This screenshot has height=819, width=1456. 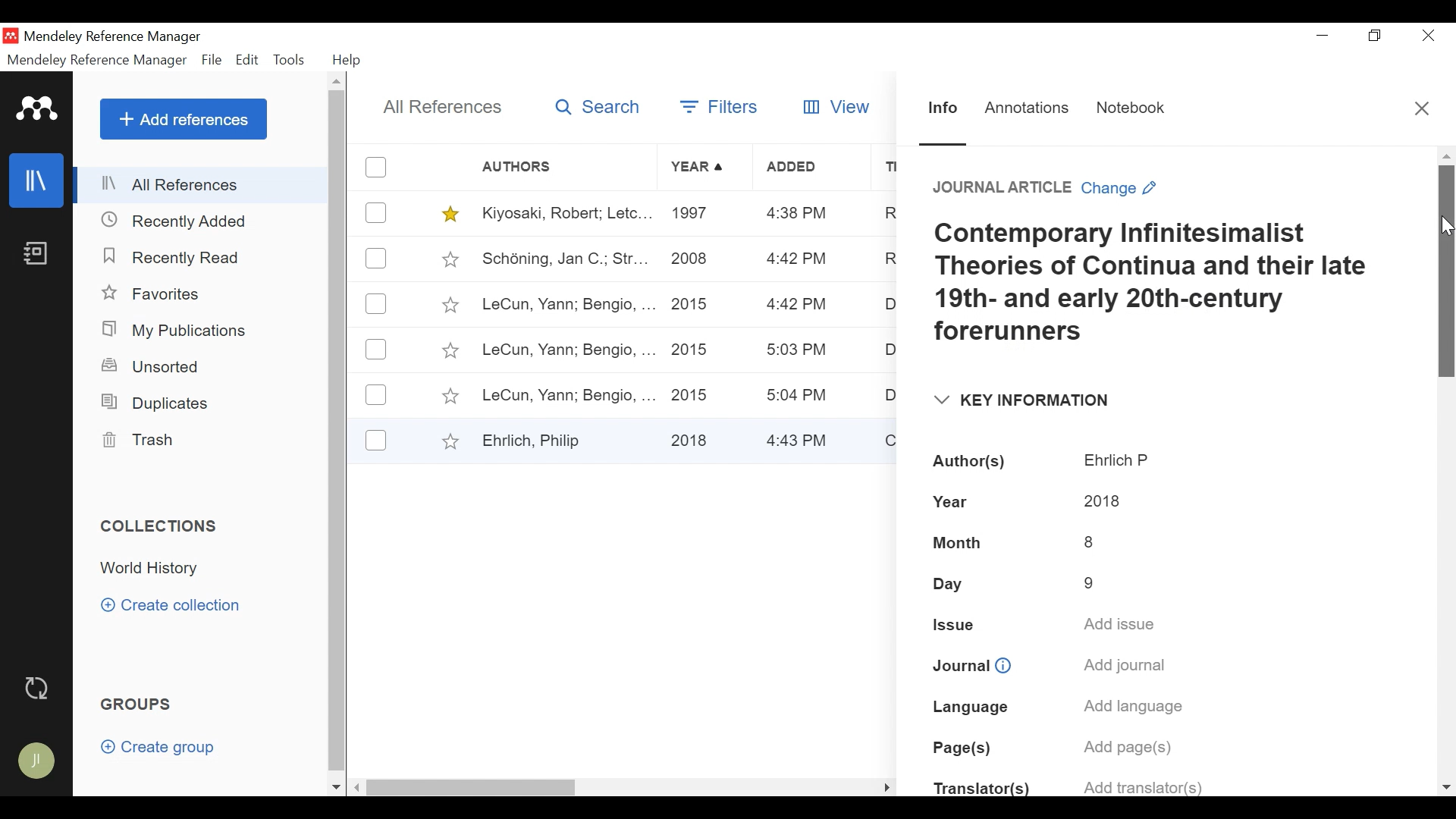 What do you see at coordinates (37, 688) in the screenshot?
I see `Sync` at bounding box center [37, 688].